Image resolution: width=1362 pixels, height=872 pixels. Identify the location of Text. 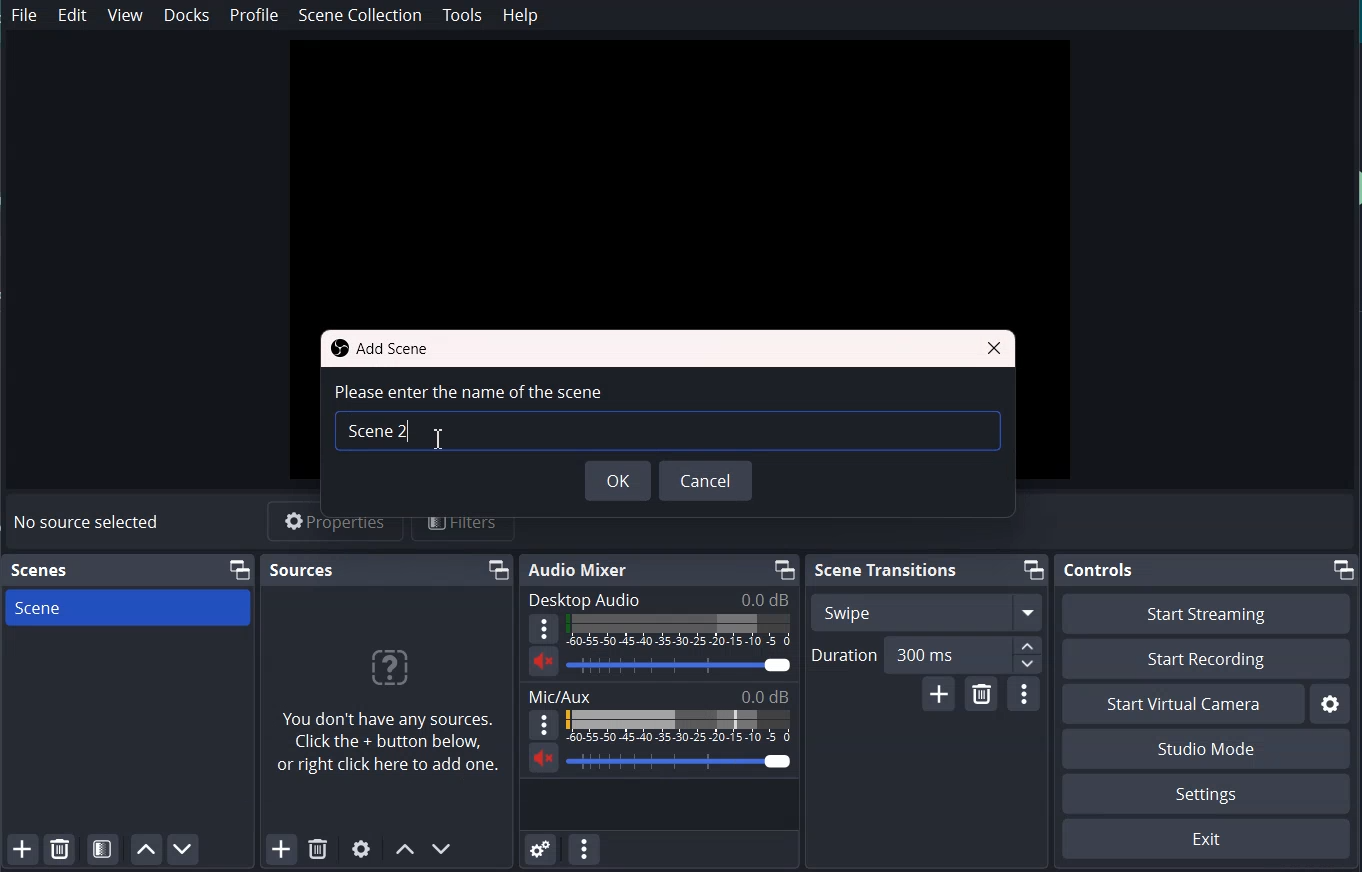
(660, 695).